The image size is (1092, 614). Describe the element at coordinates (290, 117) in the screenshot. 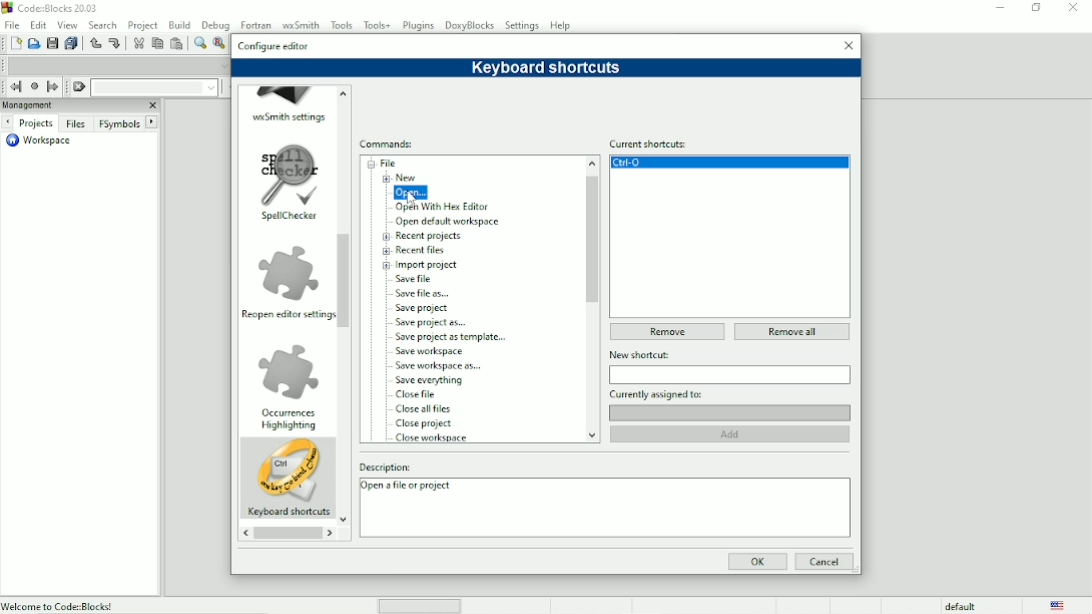

I see `wxSmith settings` at that location.